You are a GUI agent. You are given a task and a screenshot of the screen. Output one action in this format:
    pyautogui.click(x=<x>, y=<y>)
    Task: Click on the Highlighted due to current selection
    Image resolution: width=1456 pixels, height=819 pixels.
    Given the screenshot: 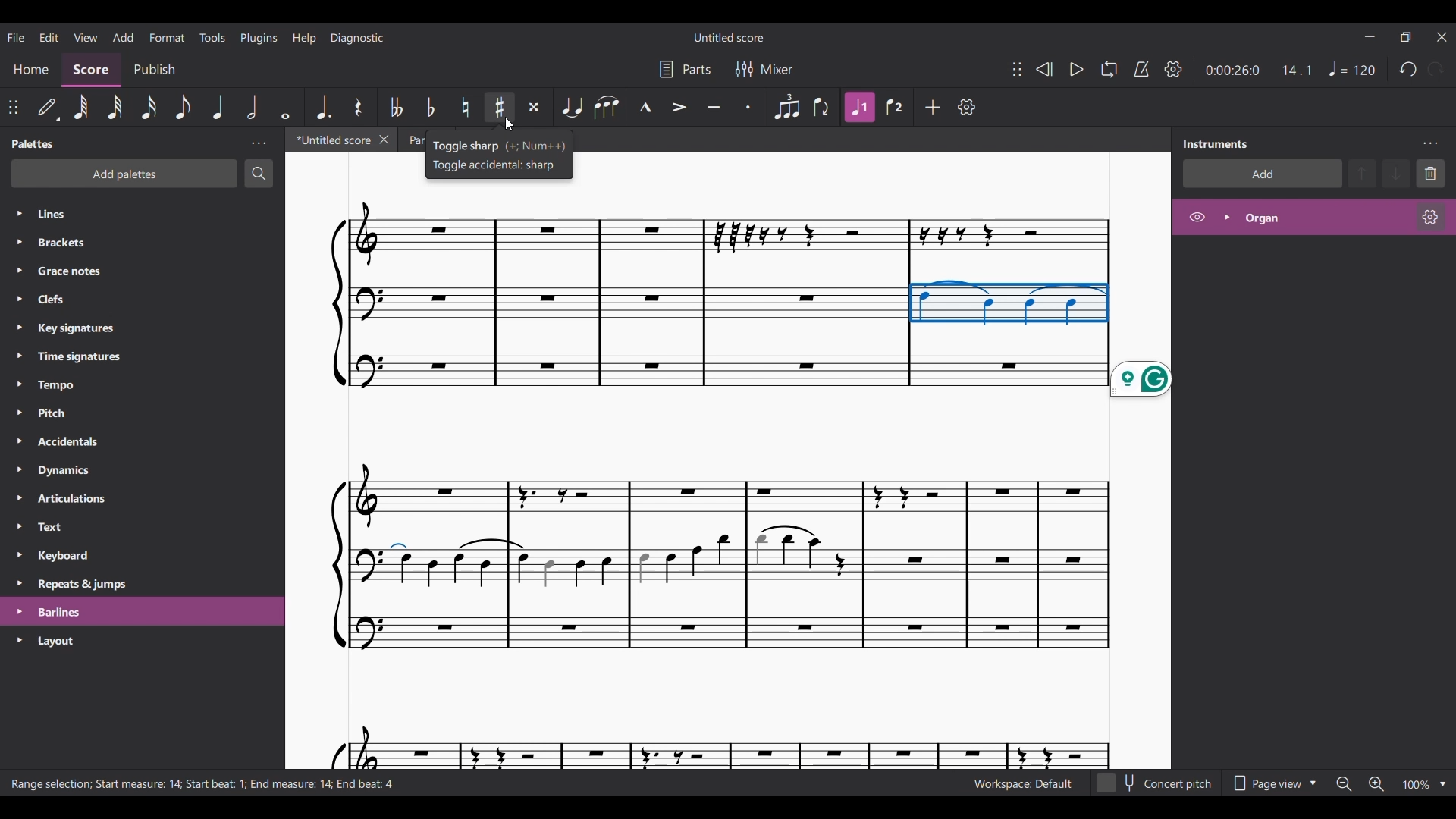 What is the action you would take?
    pyautogui.click(x=1313, y=218)
    